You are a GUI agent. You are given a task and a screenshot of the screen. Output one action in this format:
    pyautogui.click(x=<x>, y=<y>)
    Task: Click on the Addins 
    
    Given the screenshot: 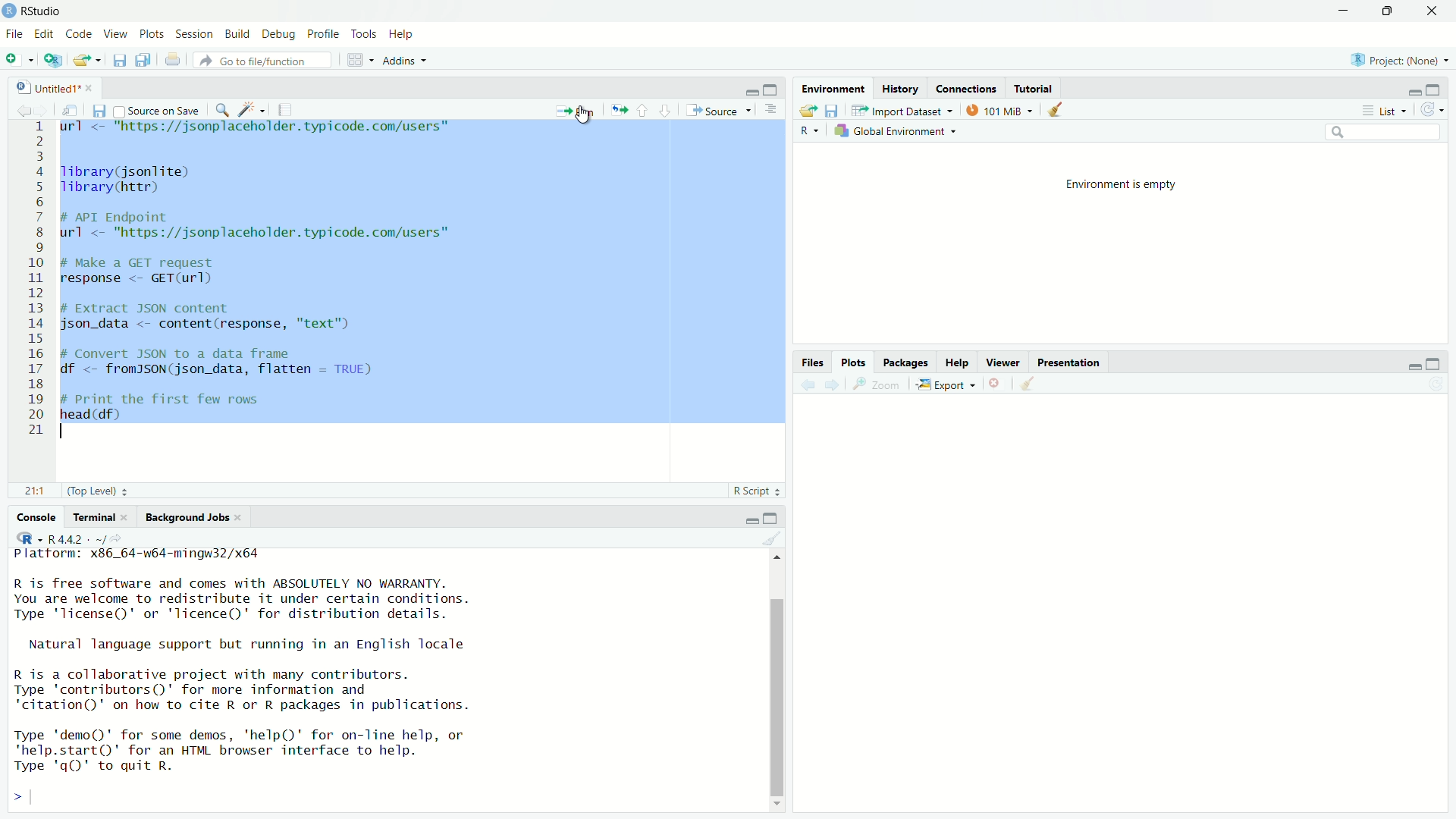 What is the action you would take?
    pyautogui.click(x=407, y=60)
    